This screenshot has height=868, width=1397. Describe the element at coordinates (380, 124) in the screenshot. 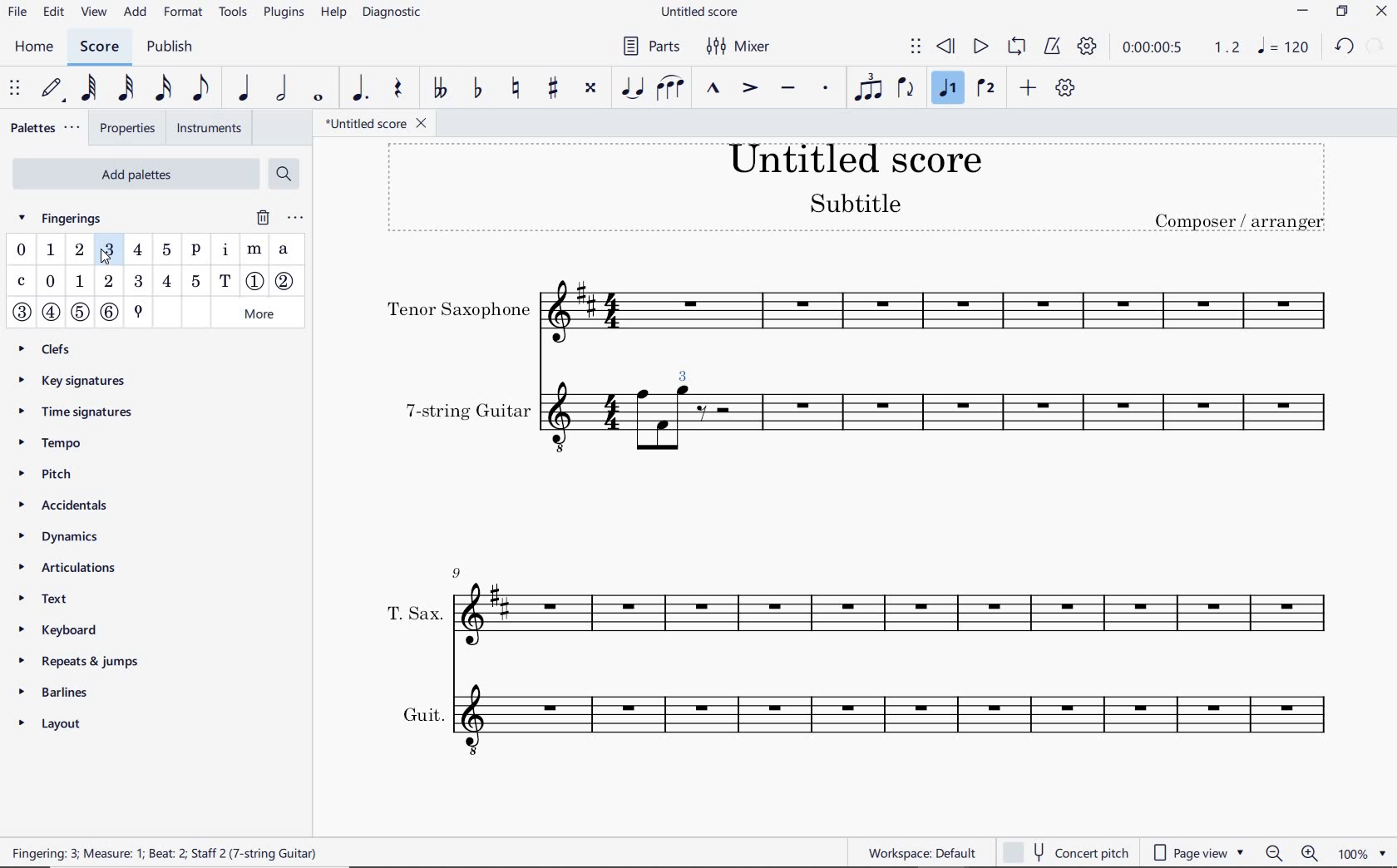

I see `FILE NAME` at that location.